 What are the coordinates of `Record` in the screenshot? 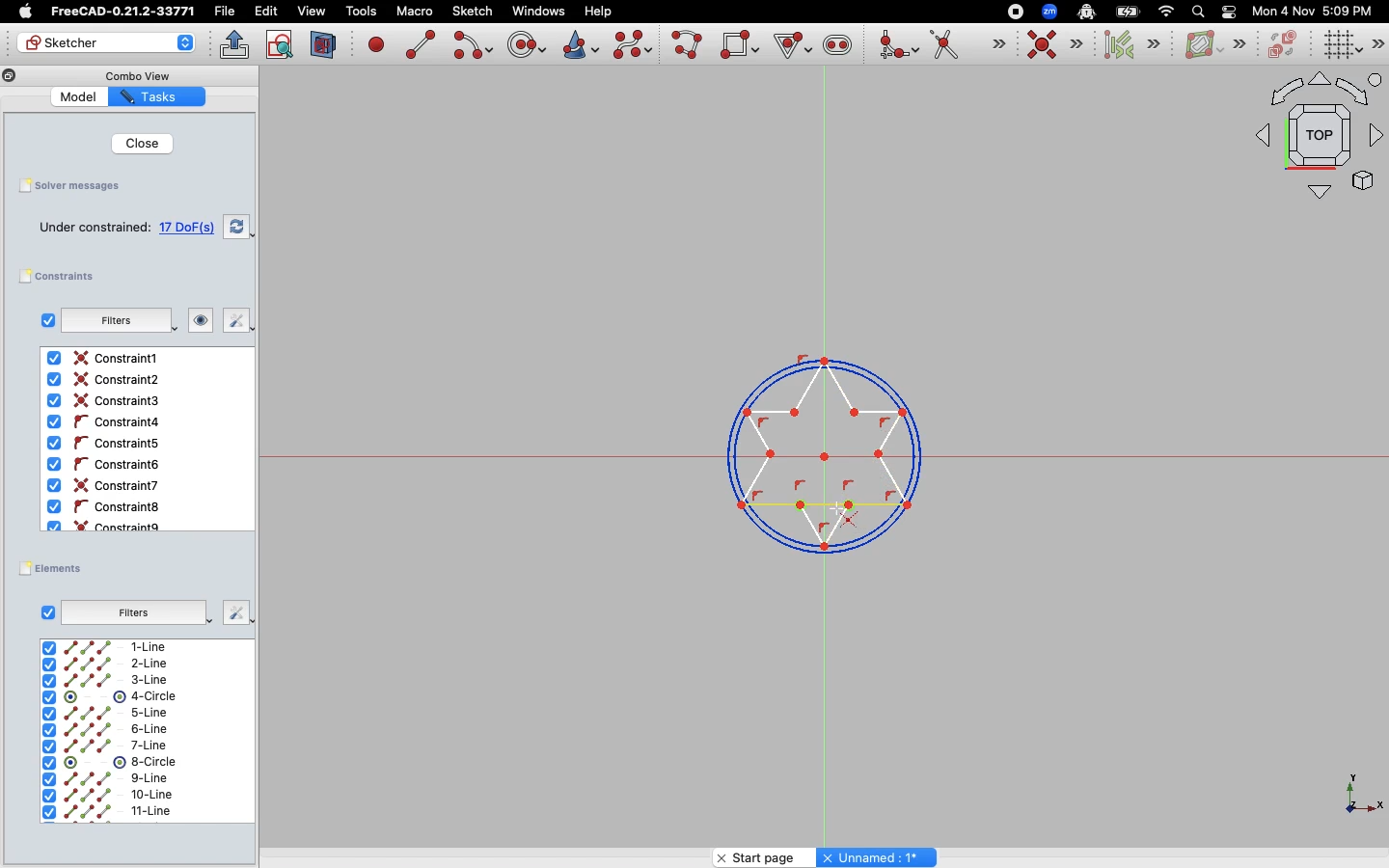 It's located at (1011, 11).